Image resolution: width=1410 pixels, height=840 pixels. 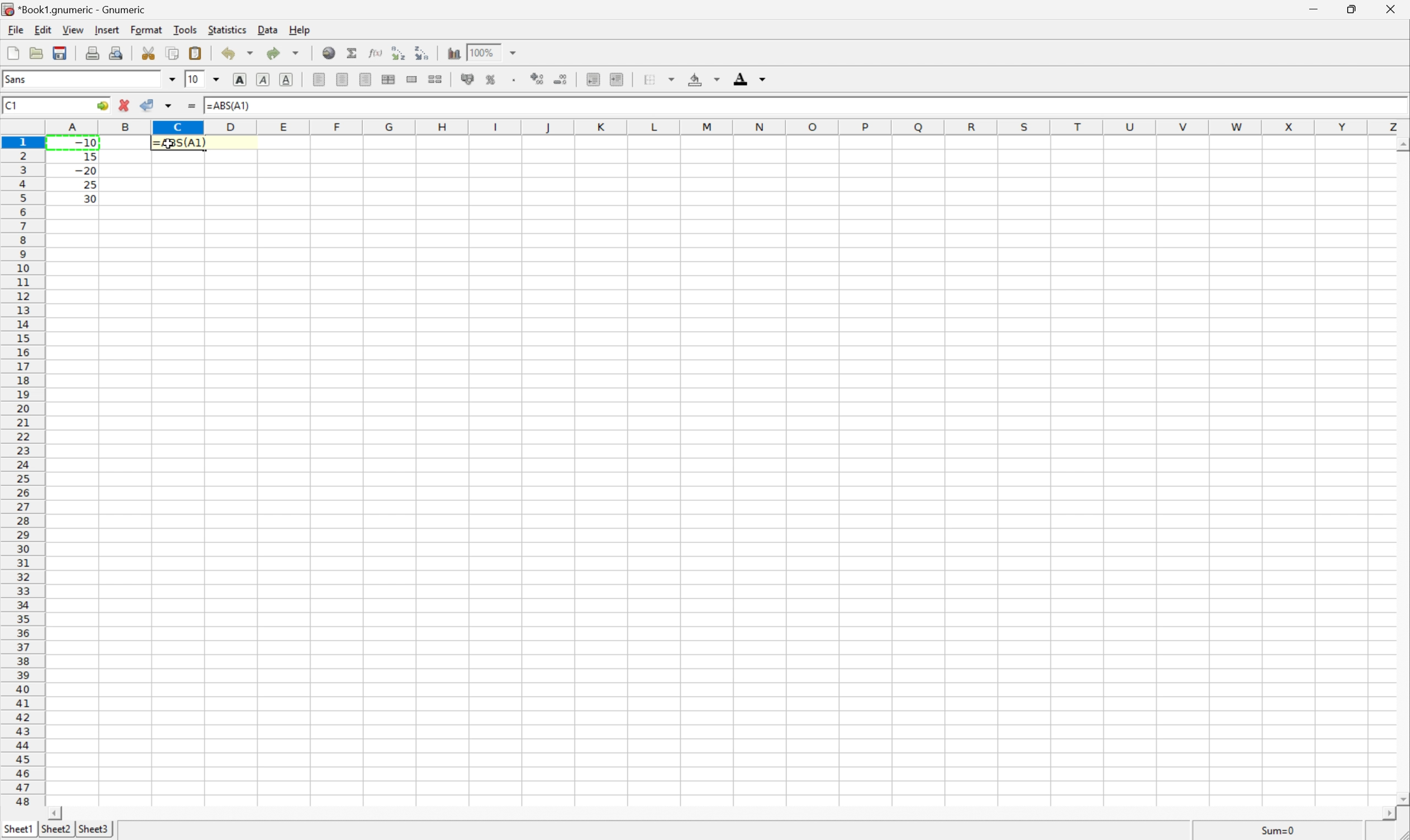 I want to click on Sum into the current cell, so click(x=353, y=53).